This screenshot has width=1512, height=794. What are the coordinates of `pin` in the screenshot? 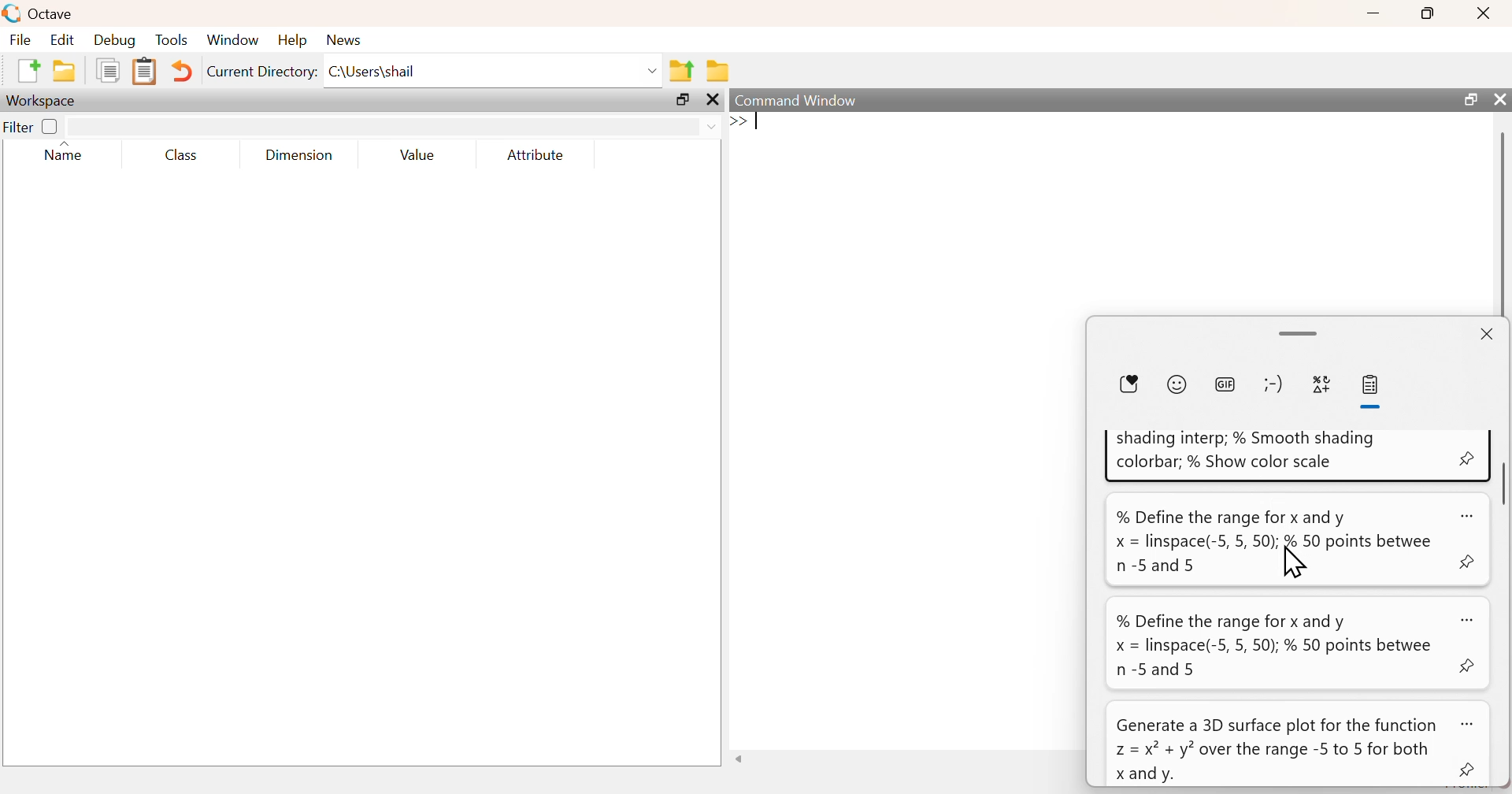 It's located at (1469, 771).